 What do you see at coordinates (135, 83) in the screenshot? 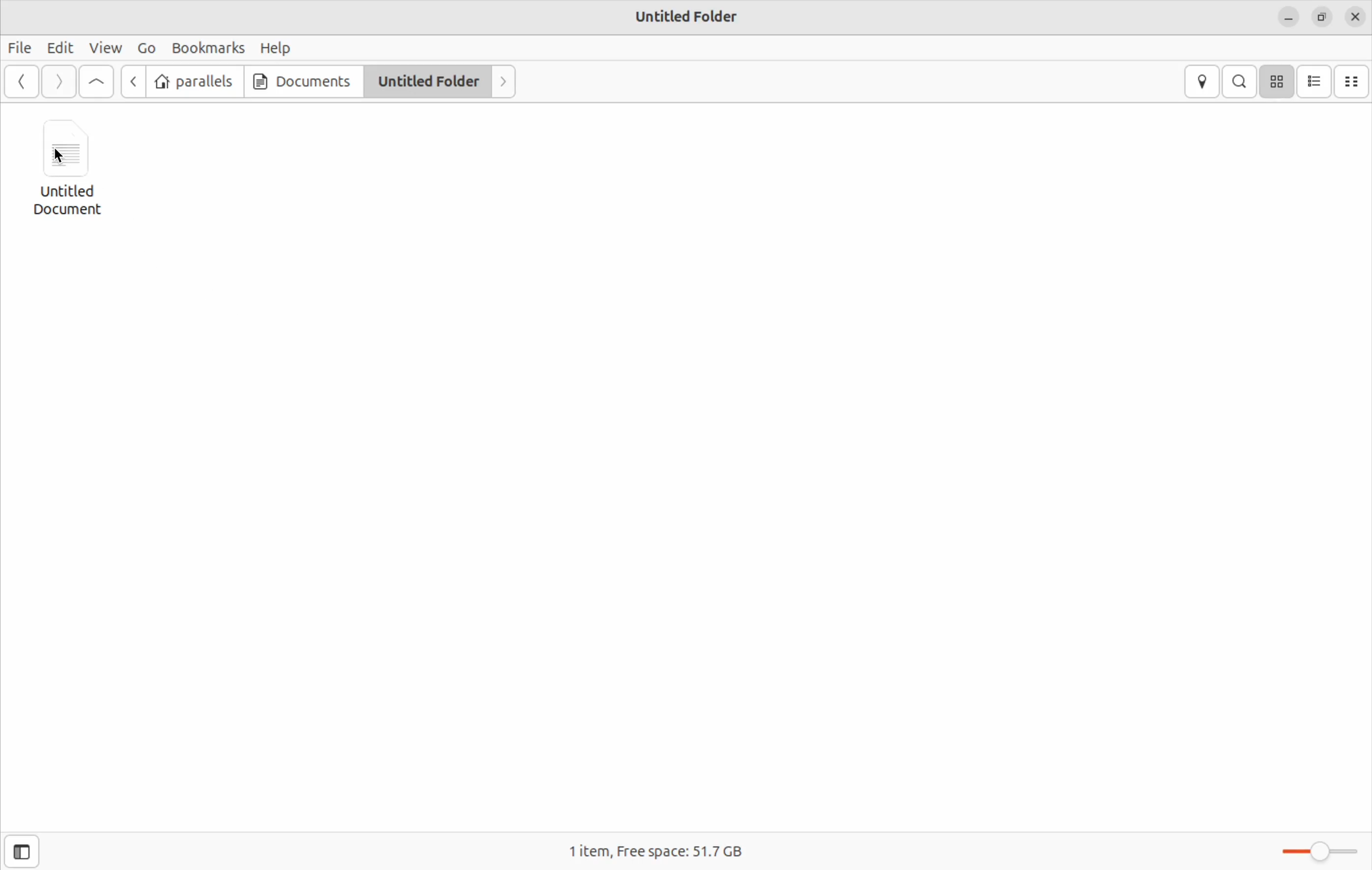
I see `back` at bounding box center [135, 83].